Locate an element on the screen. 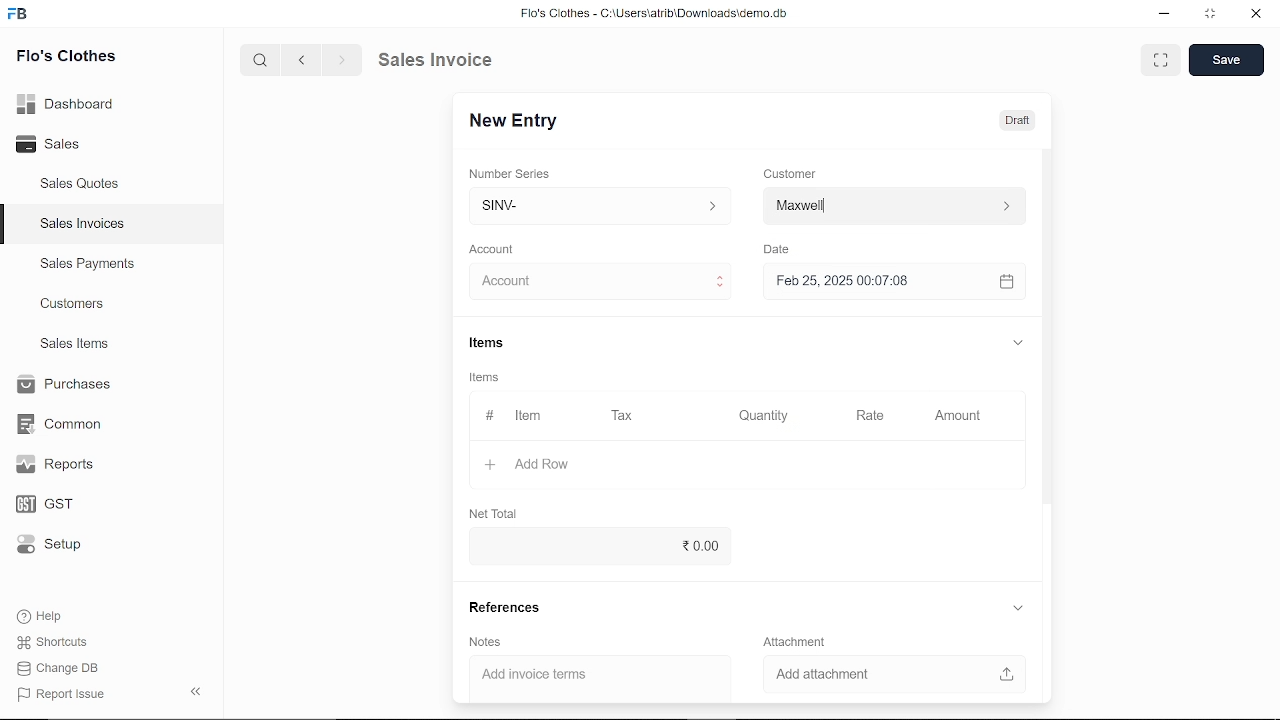 Image resolution: width=1280 pixels, height=720 pixels. Add attachment is located at coordinates (890, 675).